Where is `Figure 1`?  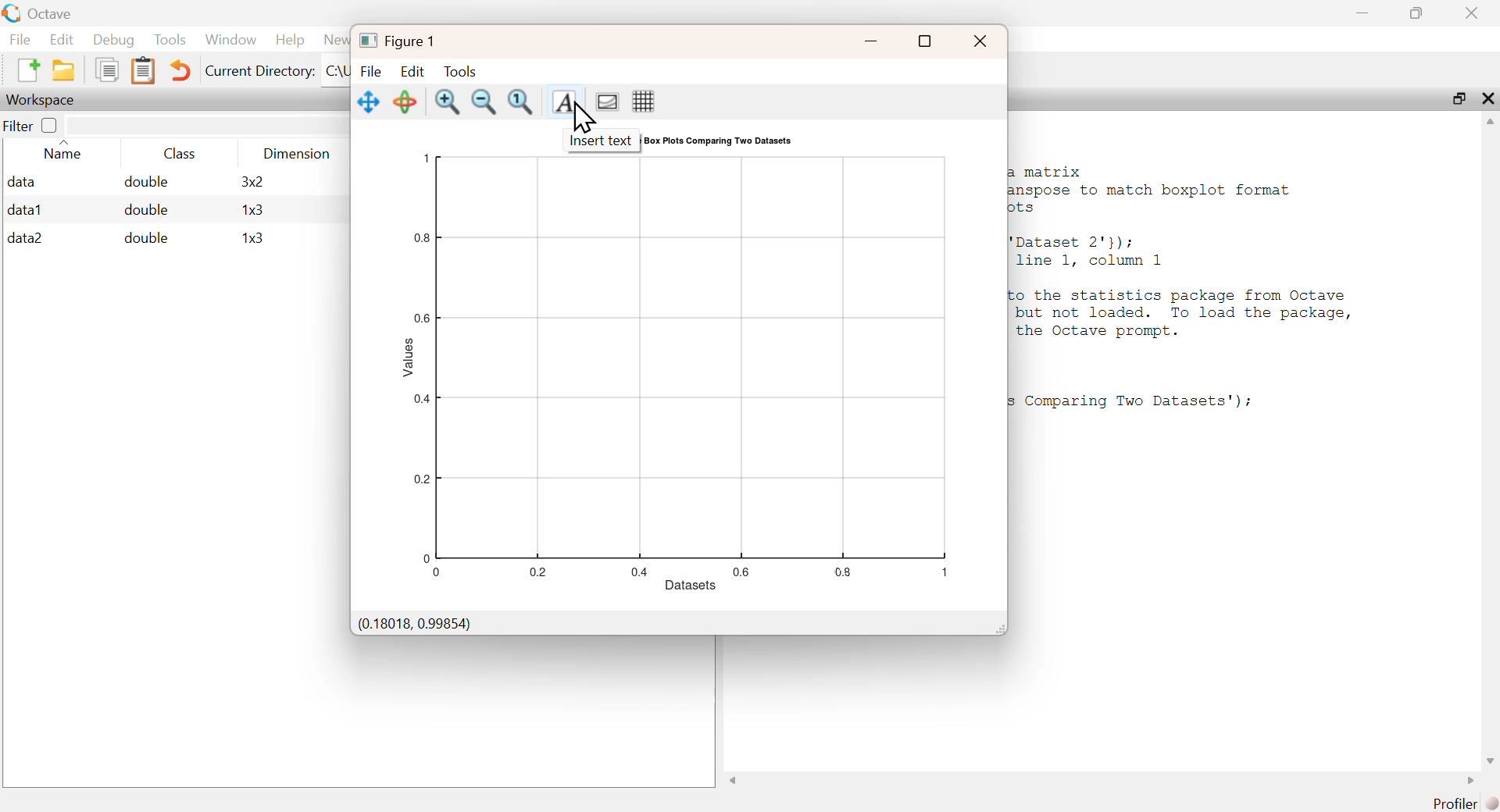 Figure 1 is located at coordinates (401, 41).